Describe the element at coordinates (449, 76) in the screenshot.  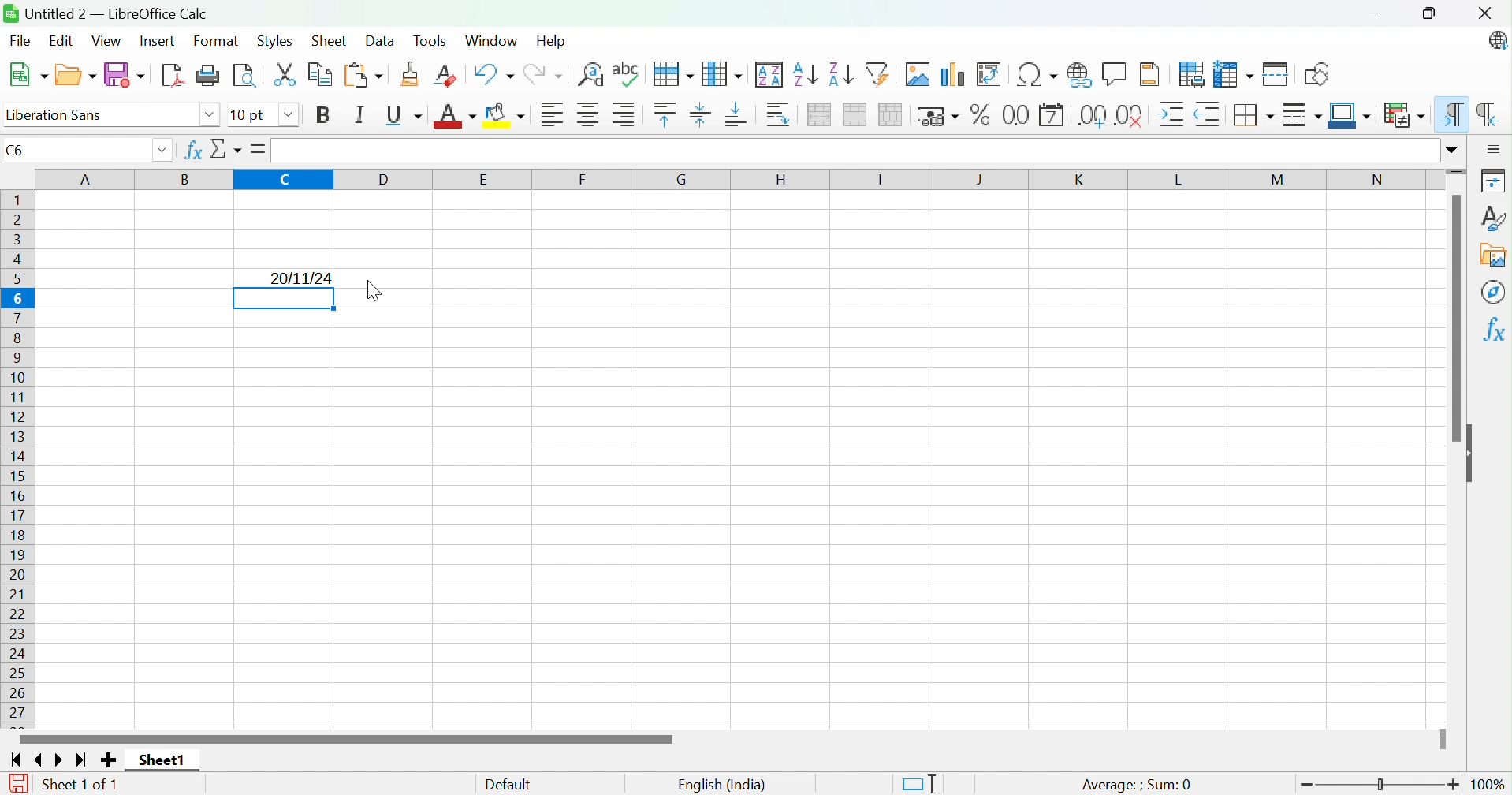
I see `Clear direct formatting` at that location.